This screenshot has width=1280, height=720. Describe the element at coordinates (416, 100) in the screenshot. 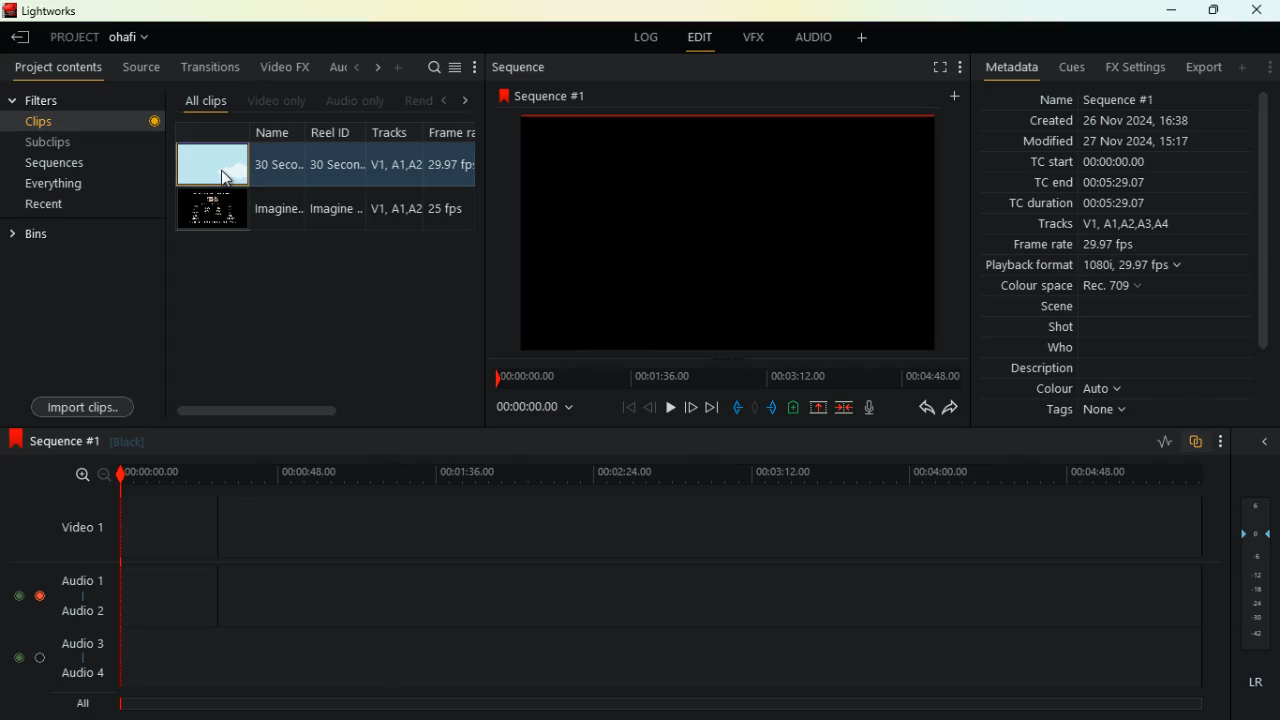

I see `rend` at that location.